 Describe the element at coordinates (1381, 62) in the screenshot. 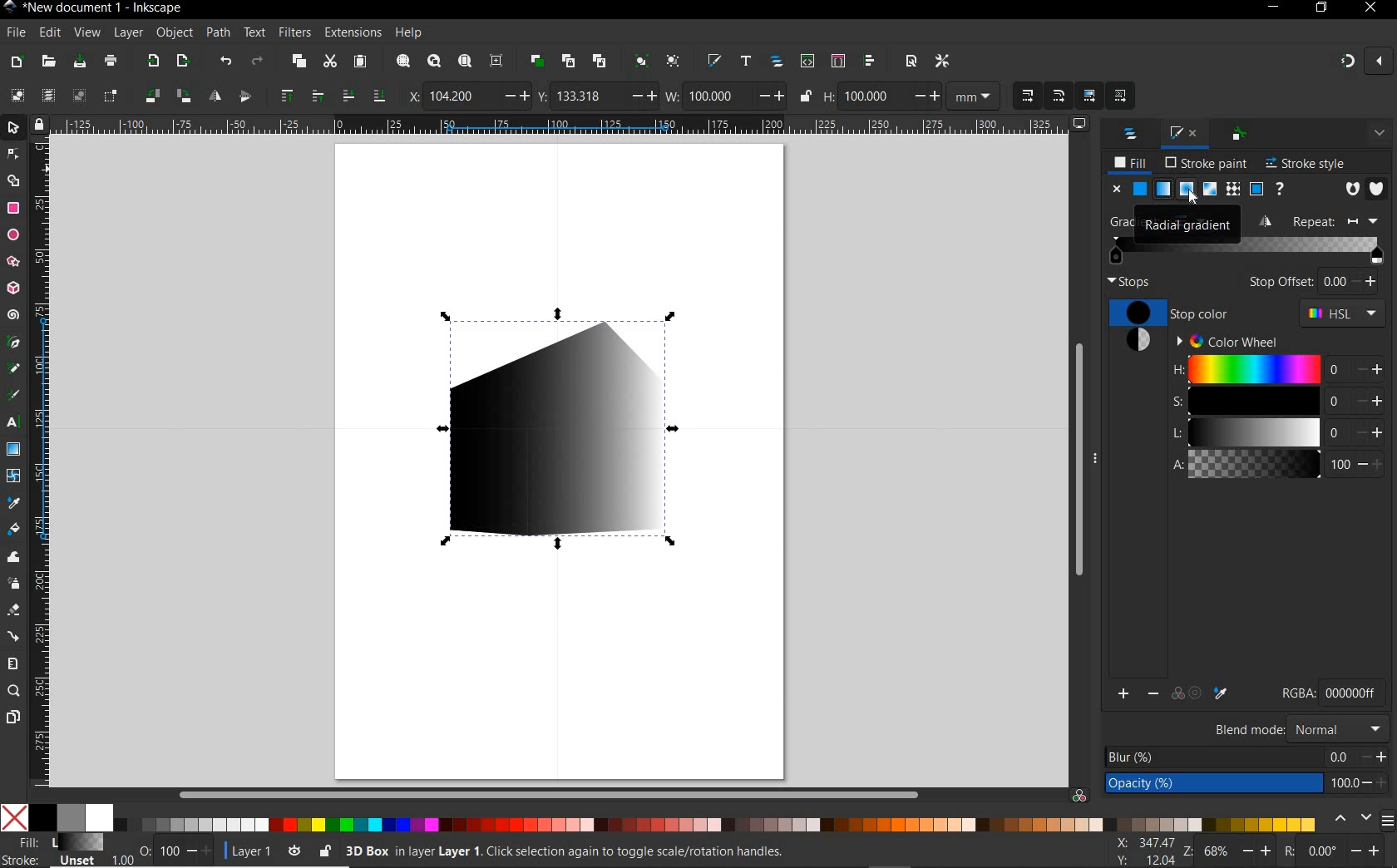

I see `close` at that location.